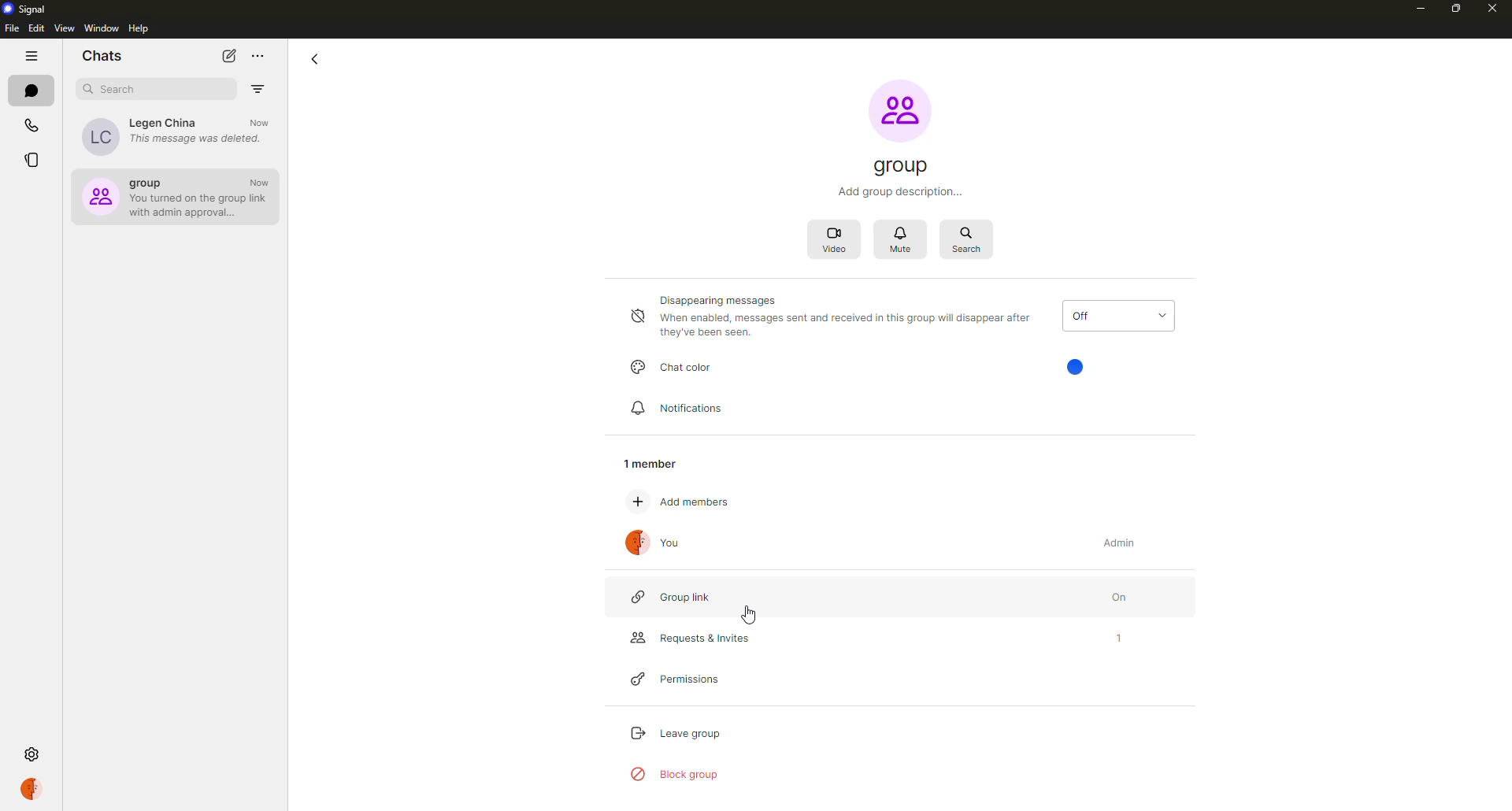 The height and width of the screenshot is (811, 1512). I want to click on permissions, so click(681, 680).